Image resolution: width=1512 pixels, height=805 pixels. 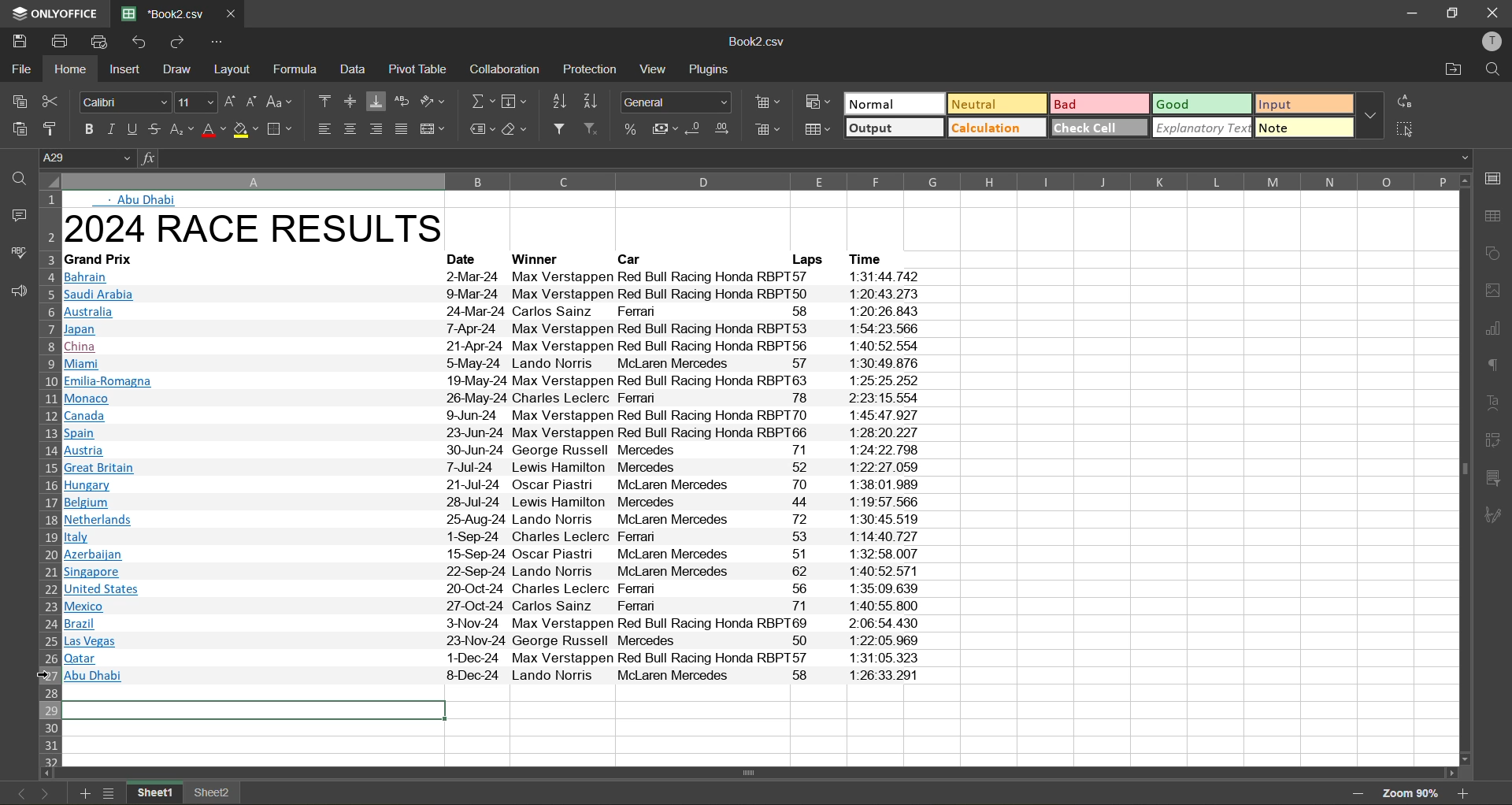 I want to click on add sheet, so click(x=86, y=794).